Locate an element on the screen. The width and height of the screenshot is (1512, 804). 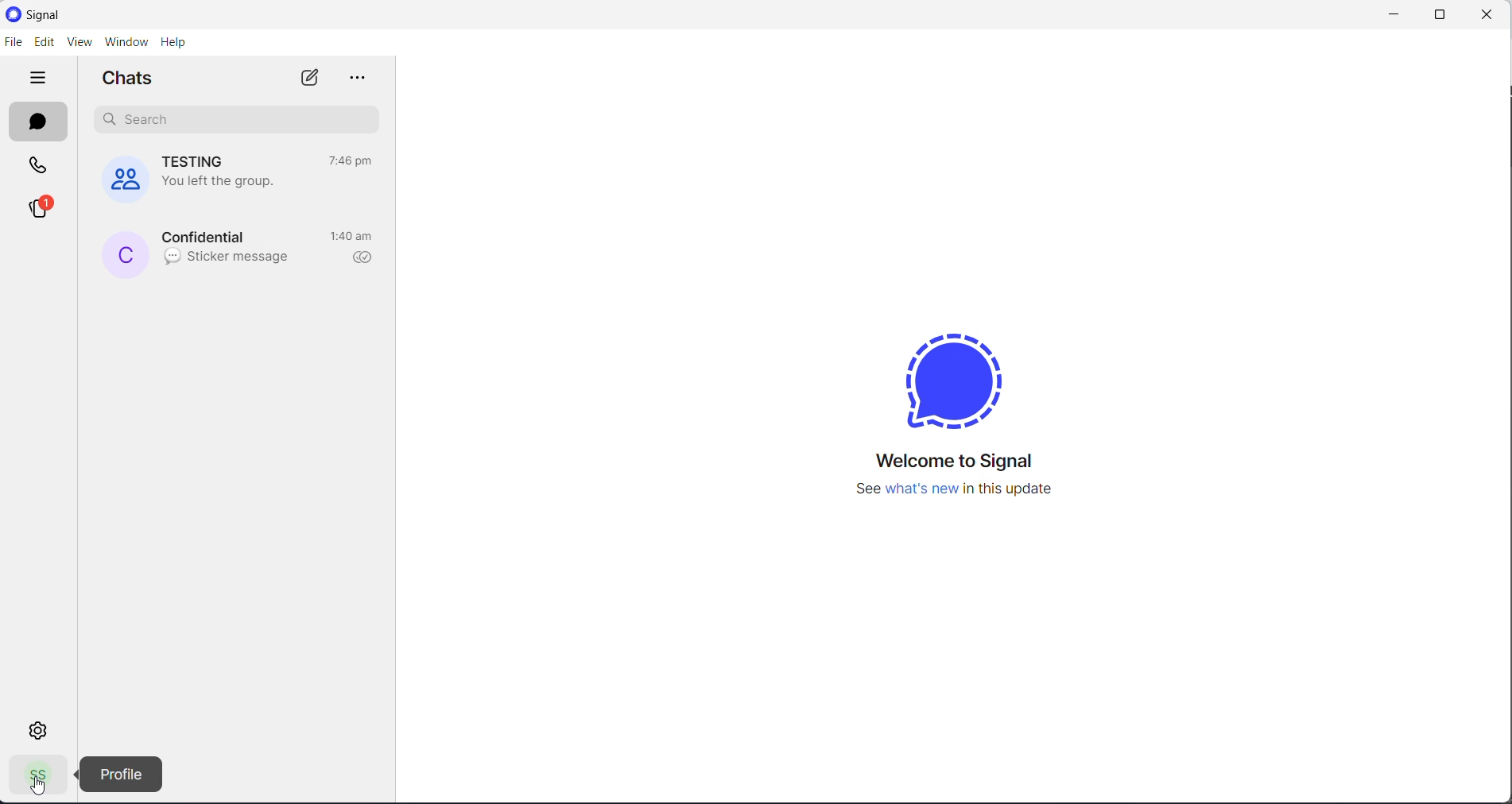
close tabs is located at coordinates (39, 79).